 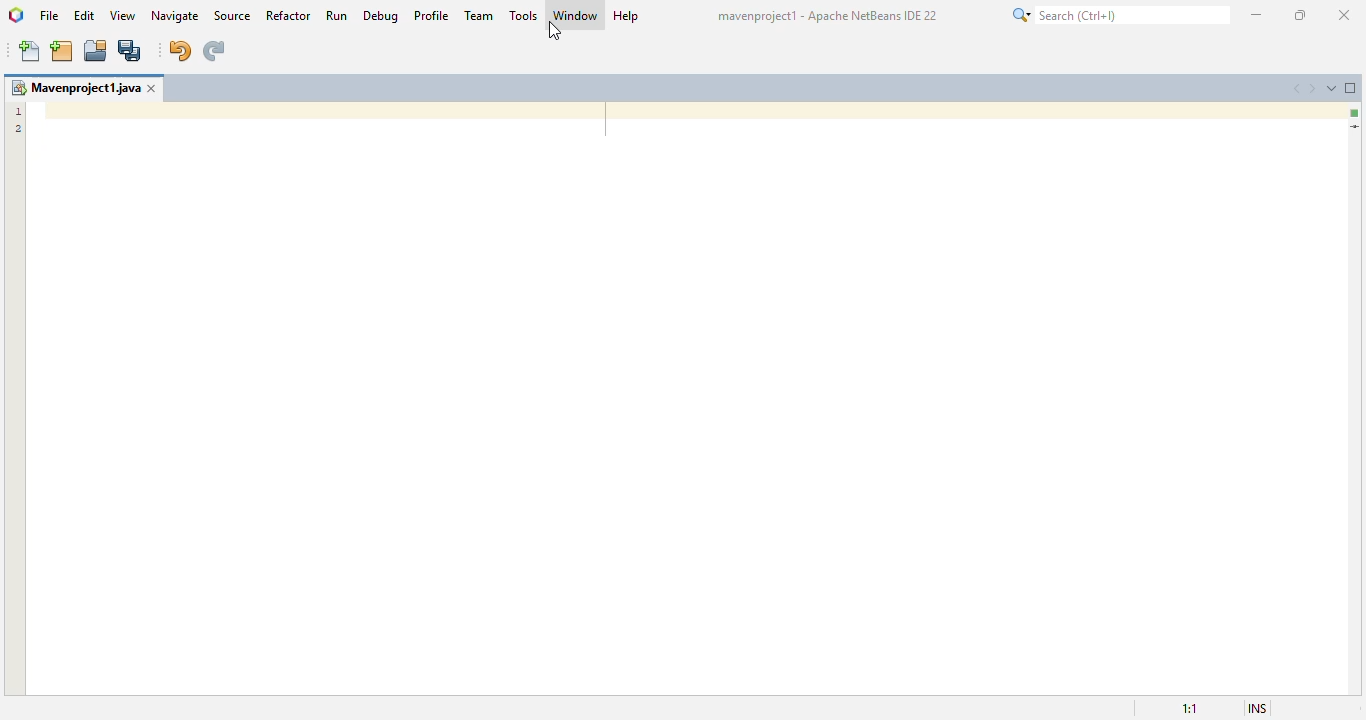 What do you see at coordinates (433, 15) in the screenshot?
I see `profile` at bounding box center [433, 15].